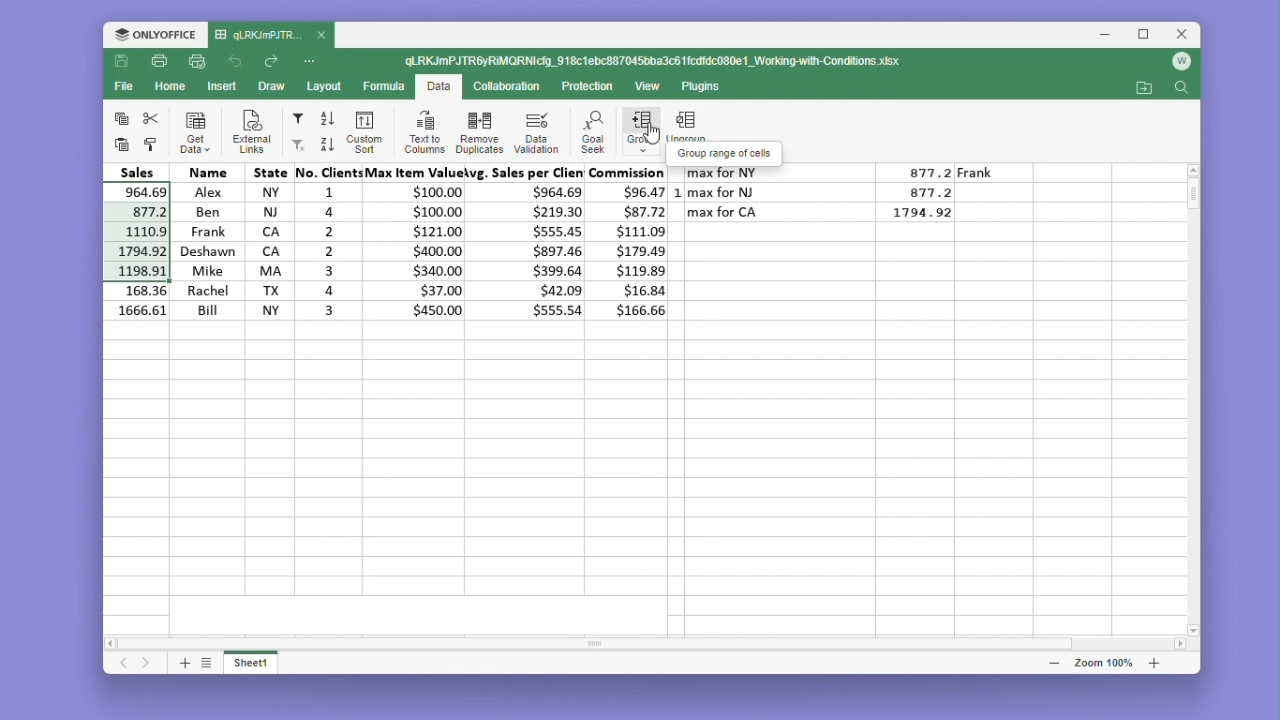  What do you see at coordinates (248, 132) in the screenshot?
I see `External links` at bounding box center [248, 132].